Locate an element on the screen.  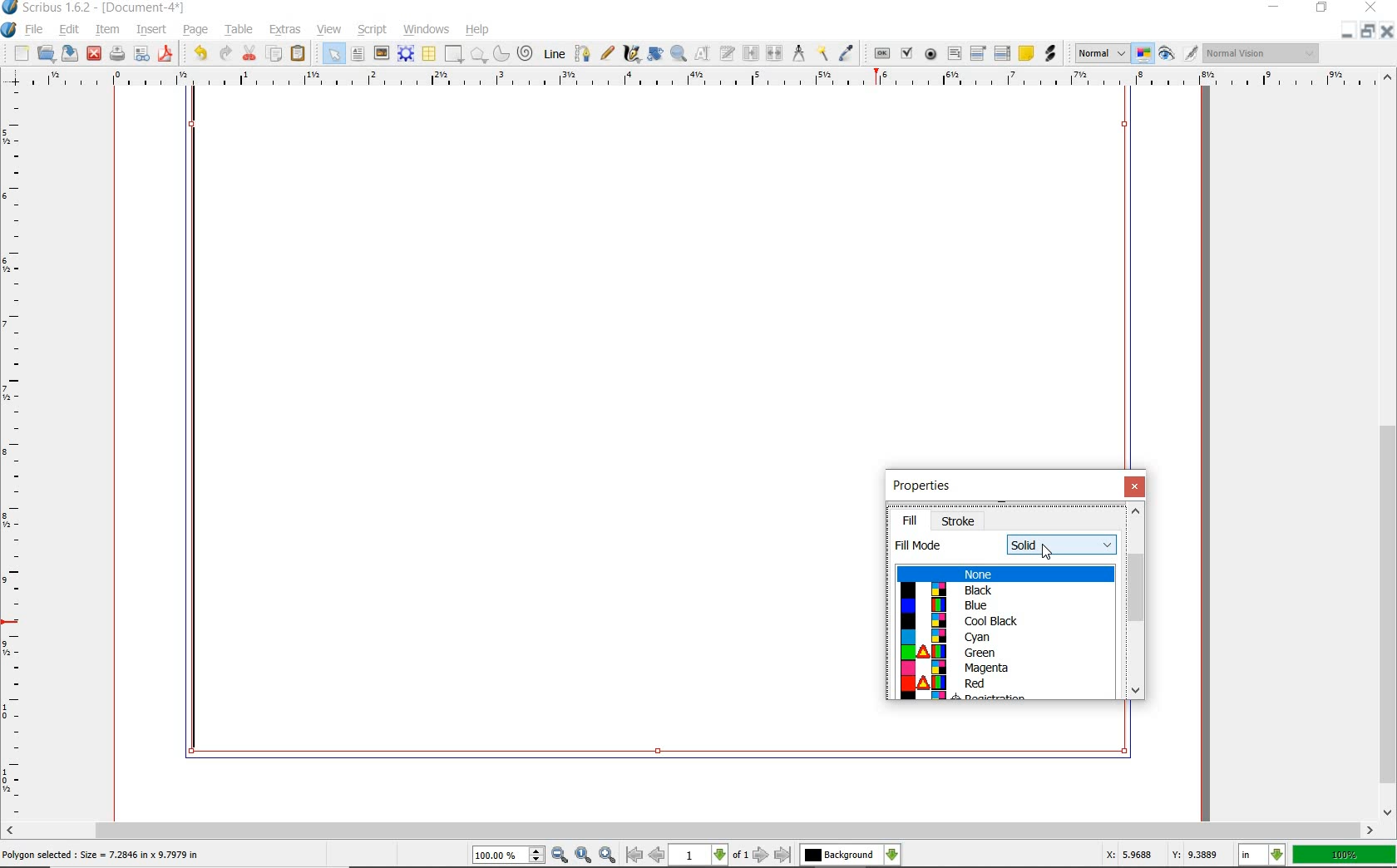
of 1 is located at coordinates (742, 856).